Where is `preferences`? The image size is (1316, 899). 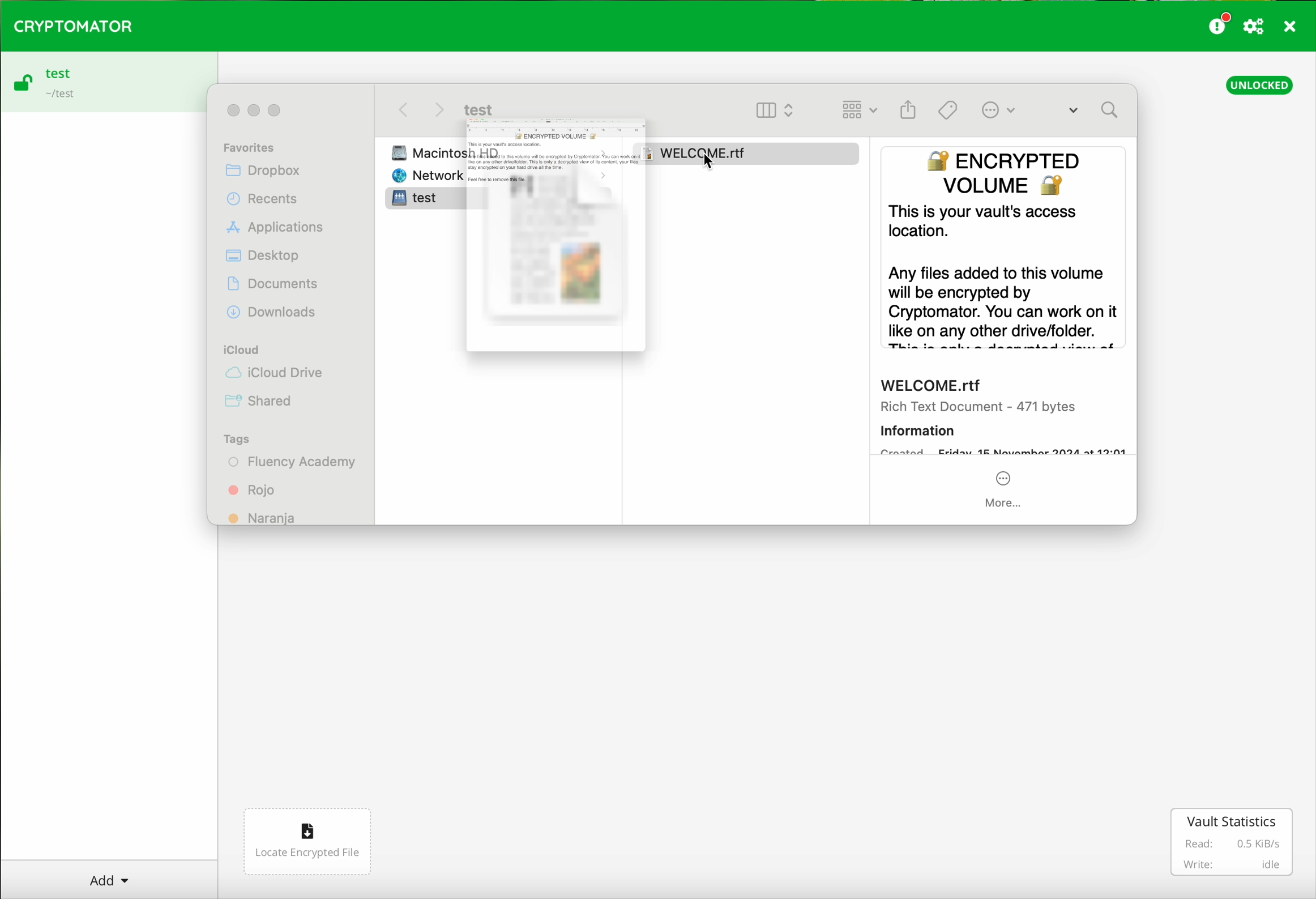
preferences is located at coordinates (1255, 27).